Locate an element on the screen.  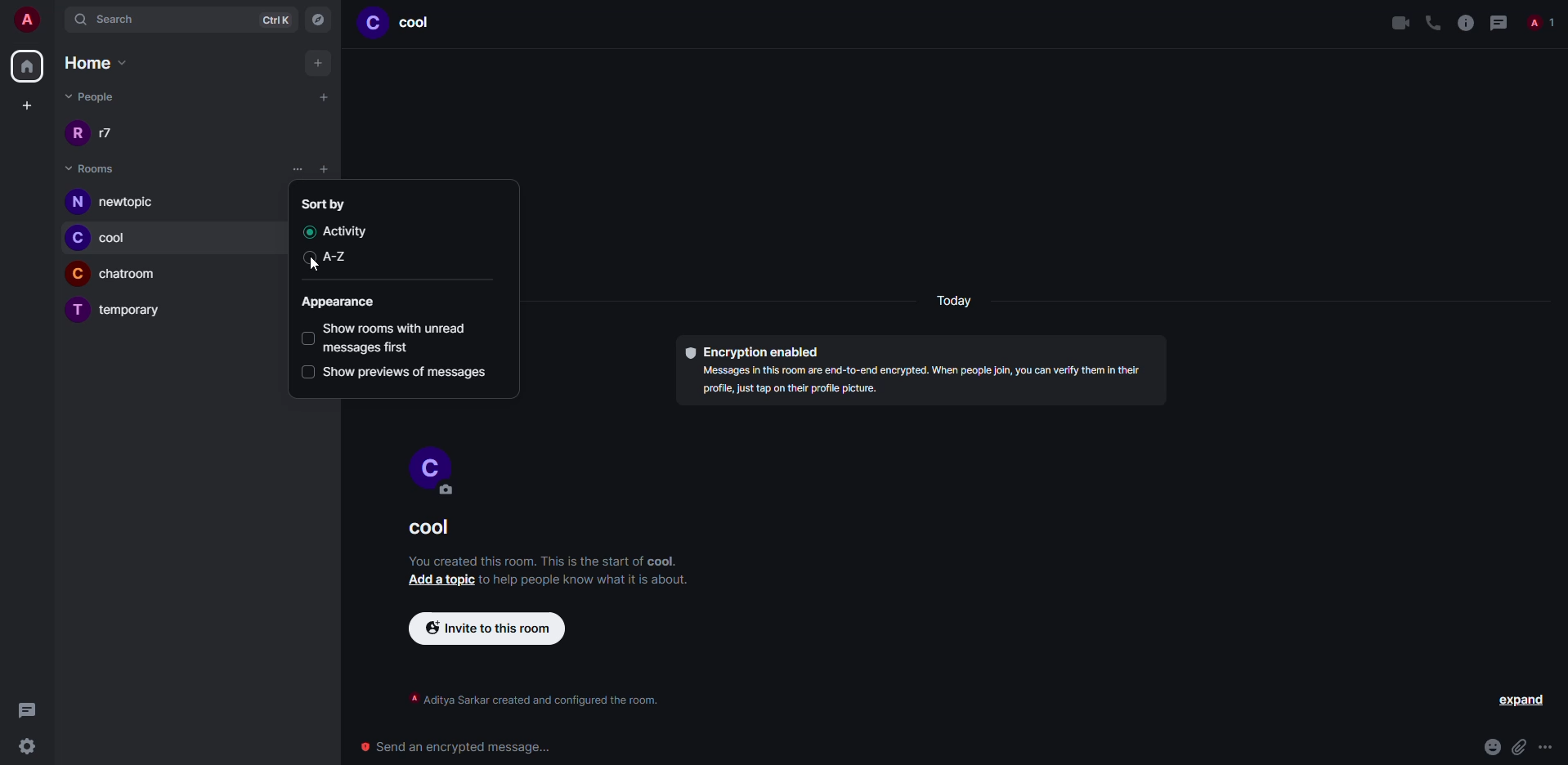
click on list options is located at coordinates (298, 169).